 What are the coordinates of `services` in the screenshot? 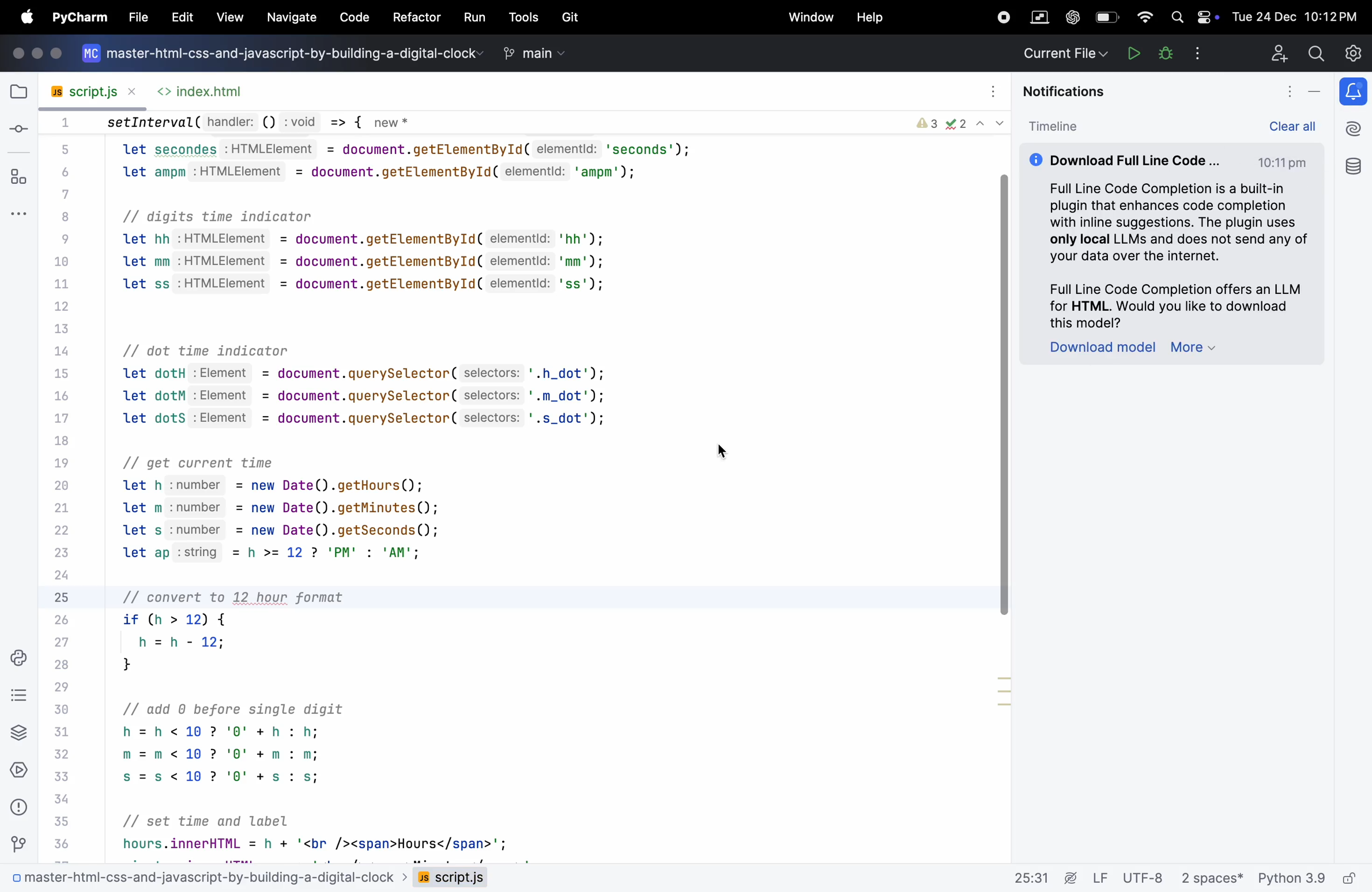 It's located at (19, 772).